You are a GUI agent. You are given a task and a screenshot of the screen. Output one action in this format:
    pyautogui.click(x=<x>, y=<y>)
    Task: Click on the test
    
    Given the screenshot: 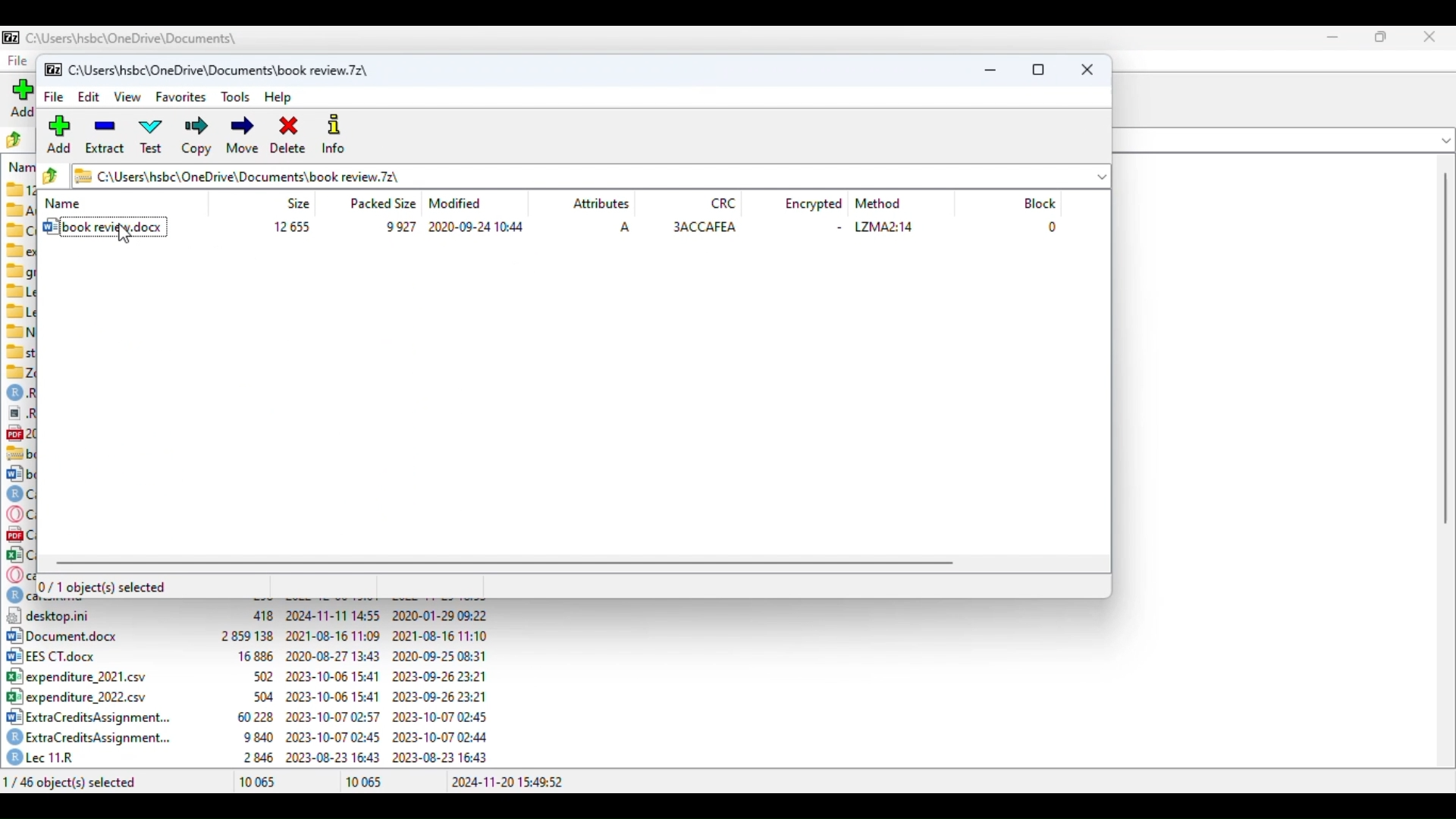 What is the action you would take?
    pyautogui.click(x=153, y=135)
    